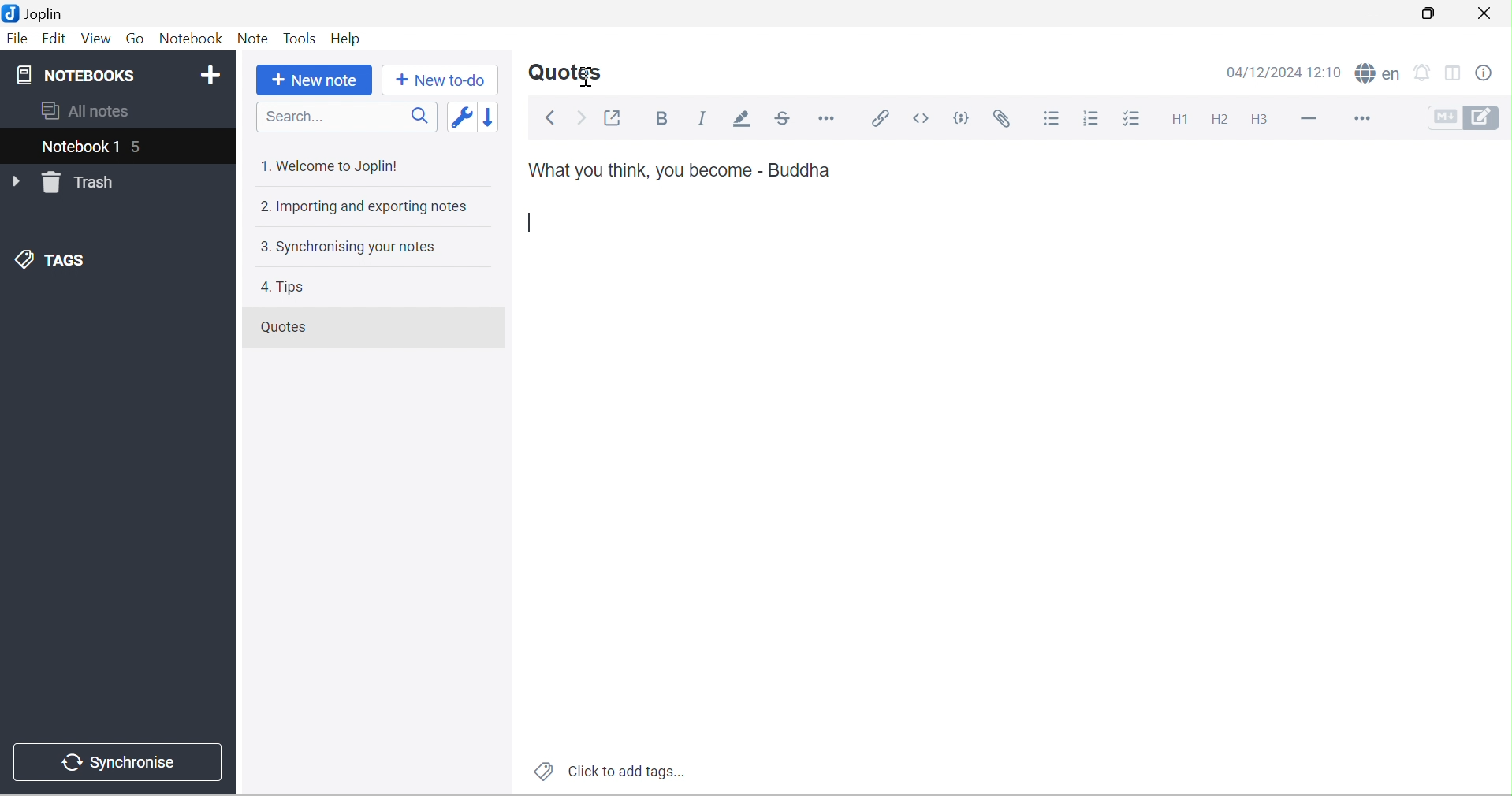 The width and height of the screenshot is (1512, 796). Describe the element at coordinates (136, 38) in the screenshot. I see `Go` at that location.